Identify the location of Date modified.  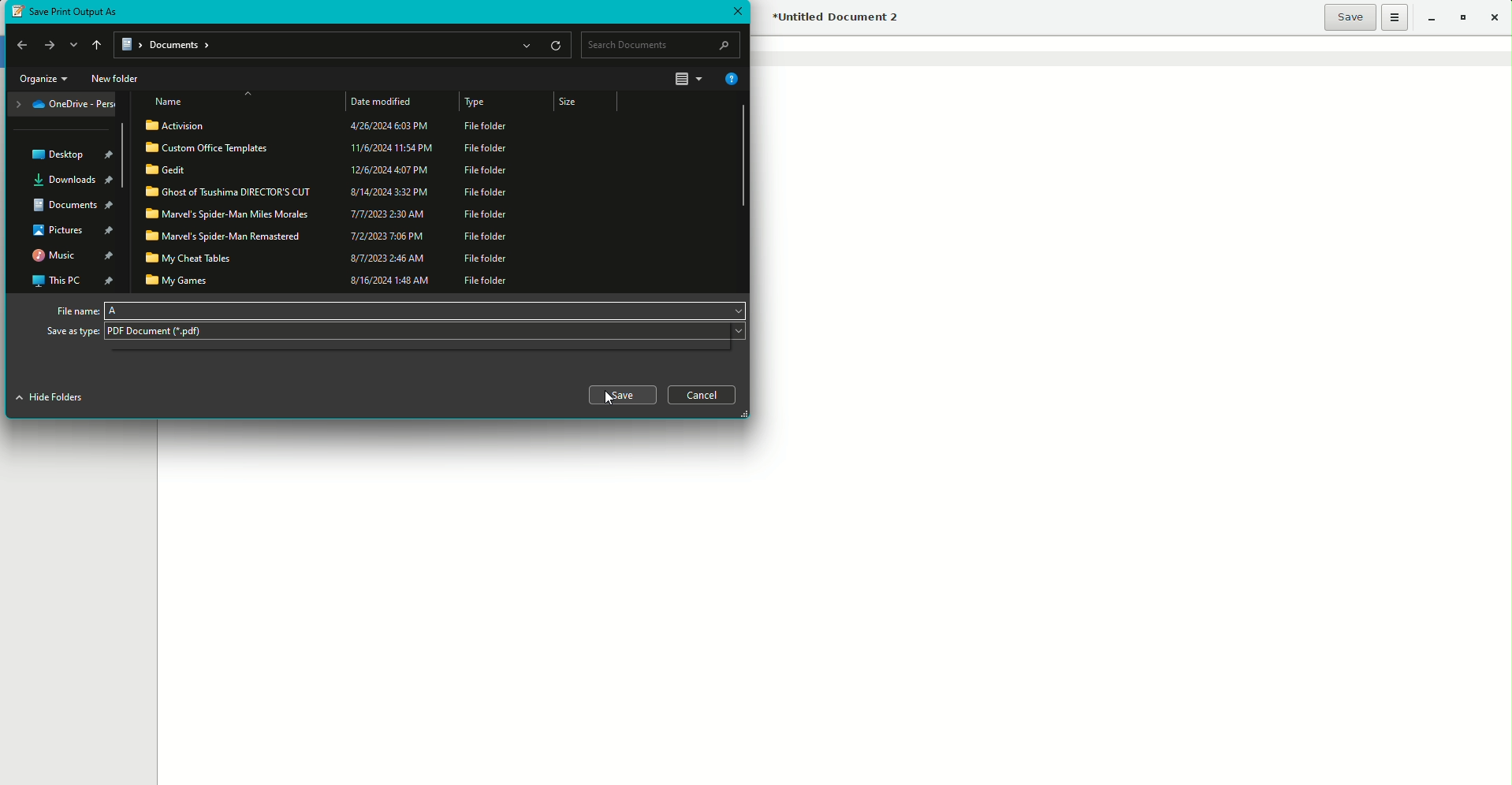
(385, 102).